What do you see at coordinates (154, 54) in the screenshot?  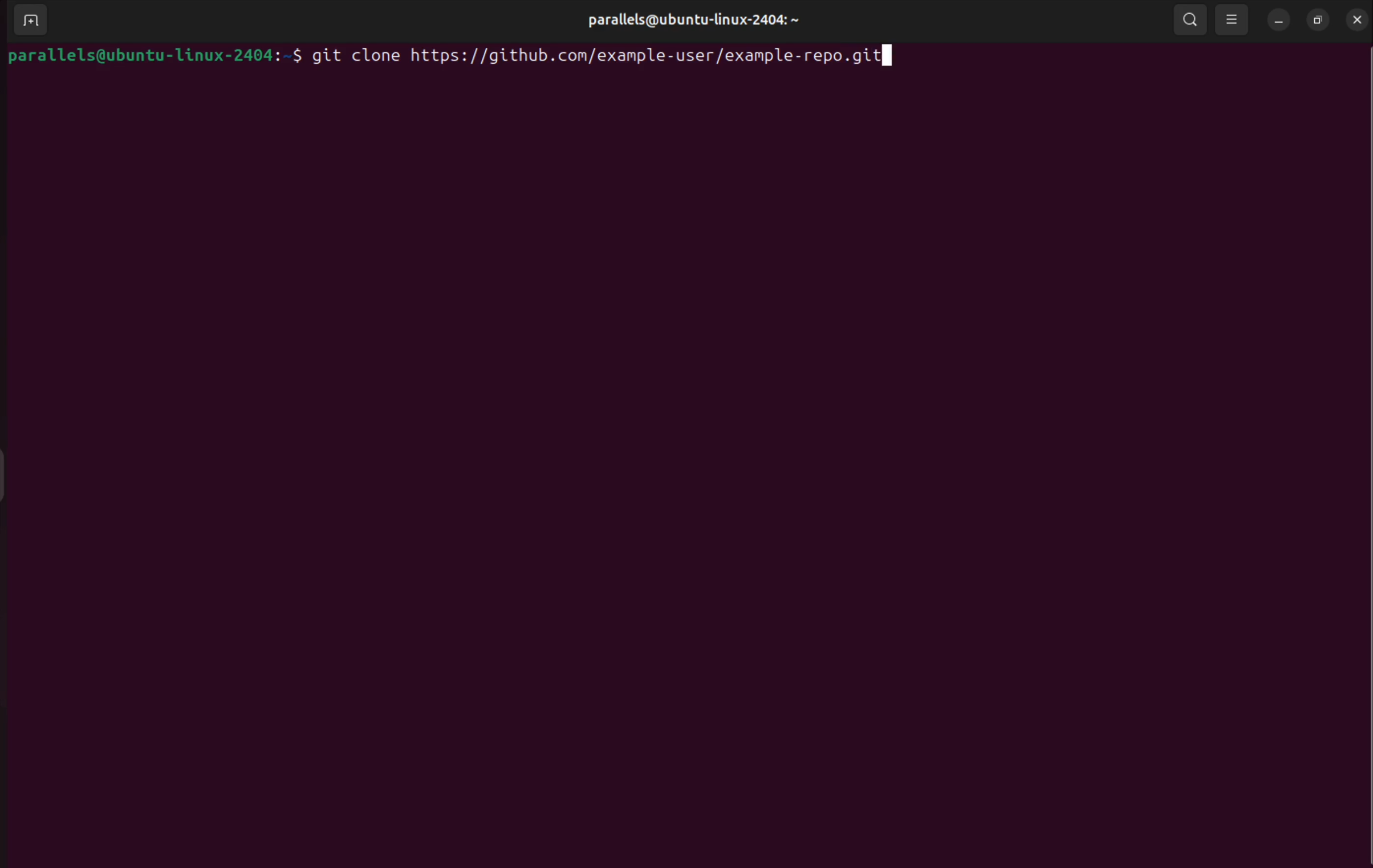 I see `bash prompt` at bounding box center [154, 54].